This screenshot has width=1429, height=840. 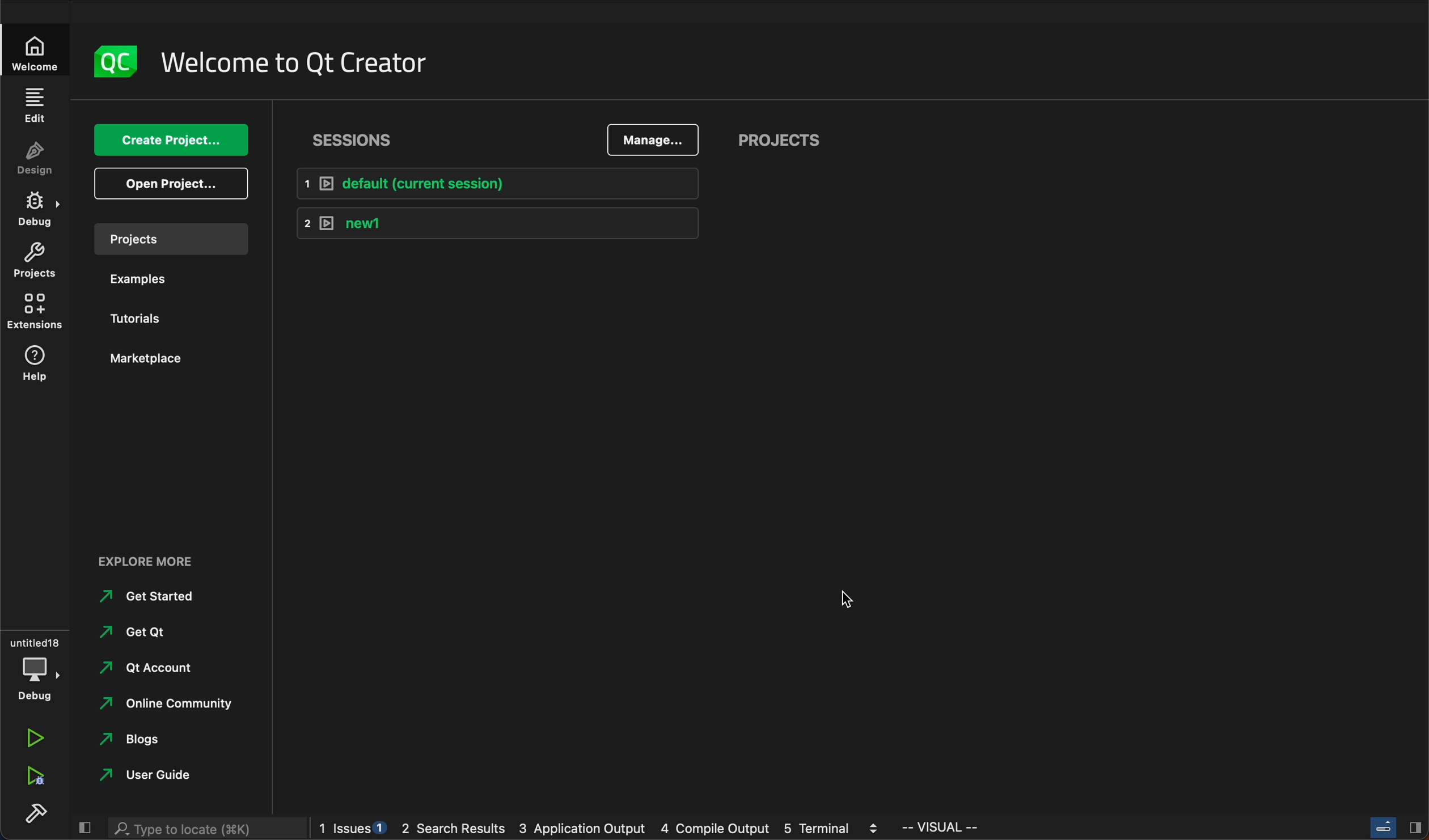 I want to click on debug, so click(x=37, y=672).